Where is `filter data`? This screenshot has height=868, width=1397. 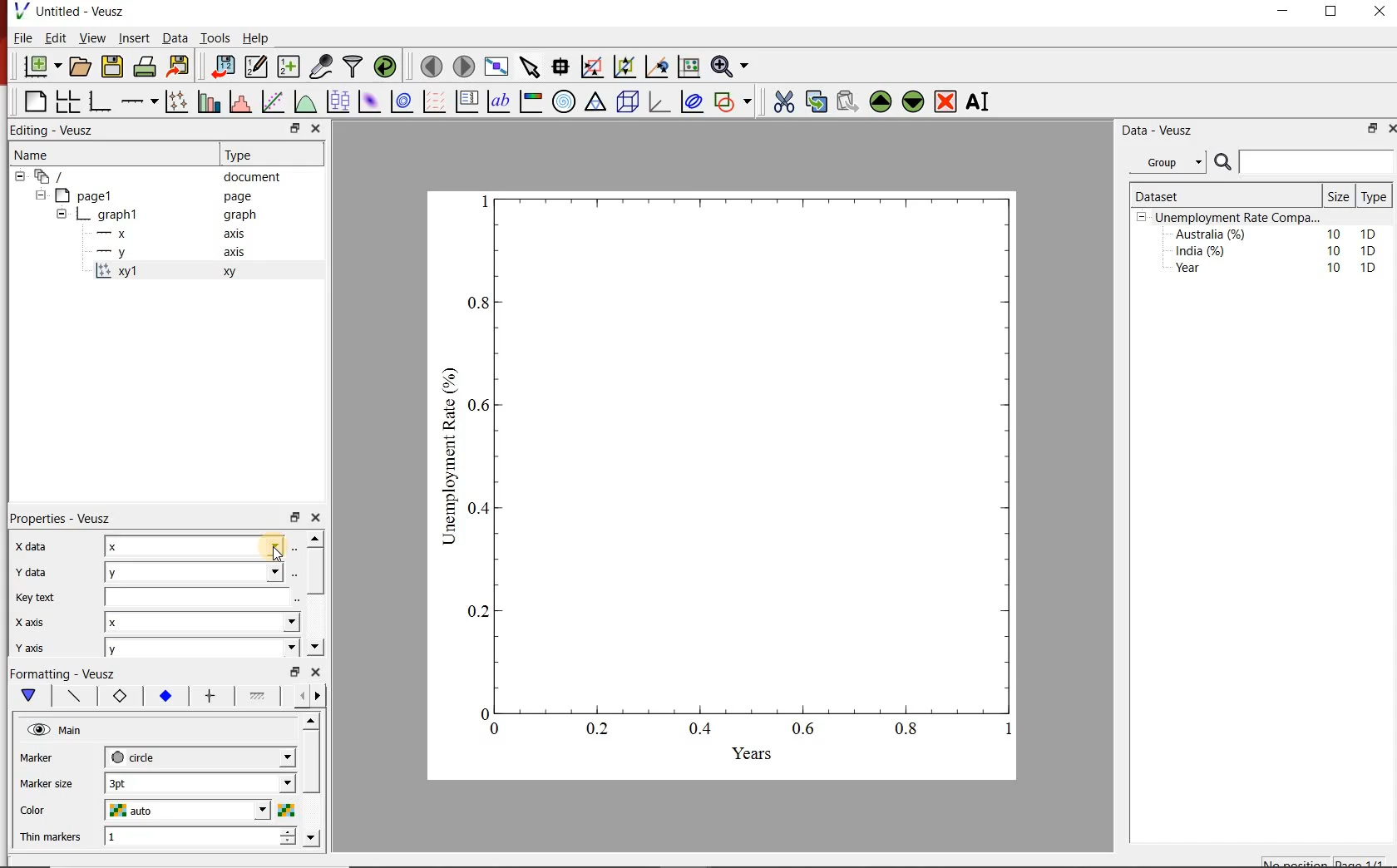 filter data is located at coordinates (352, 67).